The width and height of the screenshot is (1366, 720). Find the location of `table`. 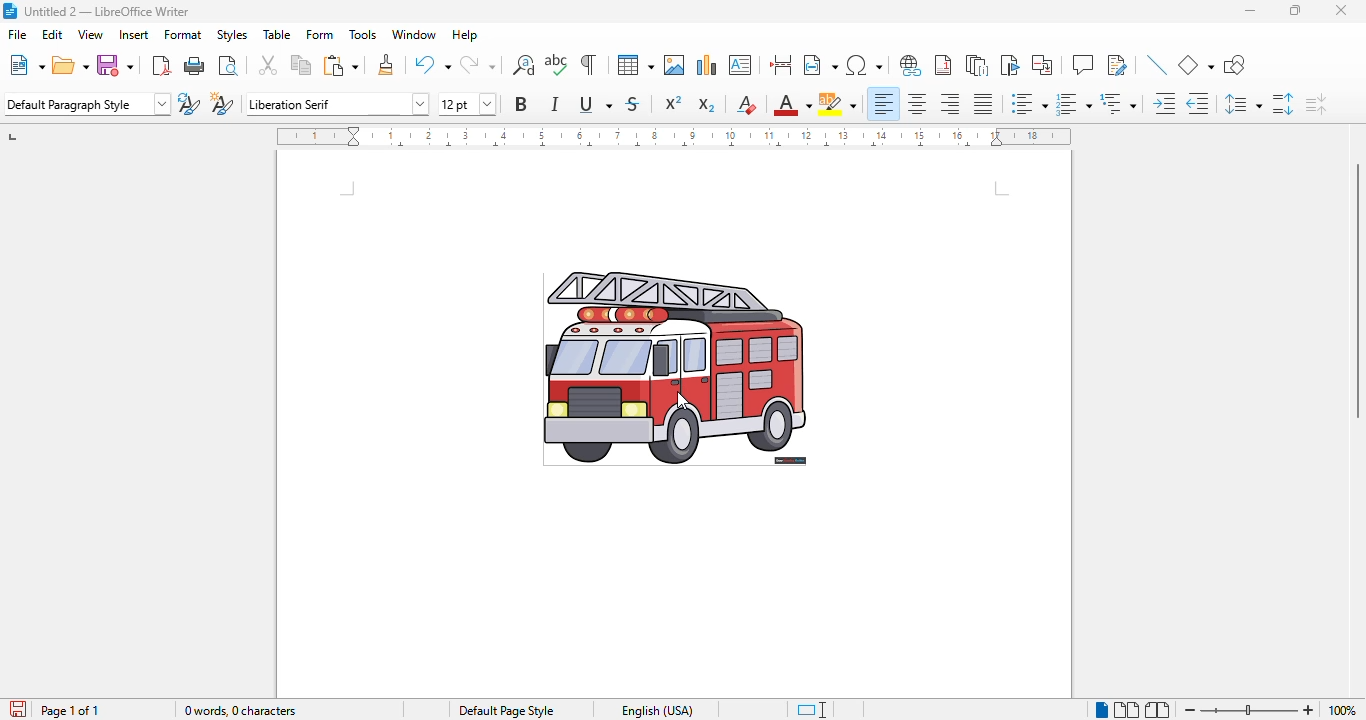

table is located at coordinates (635, 65).